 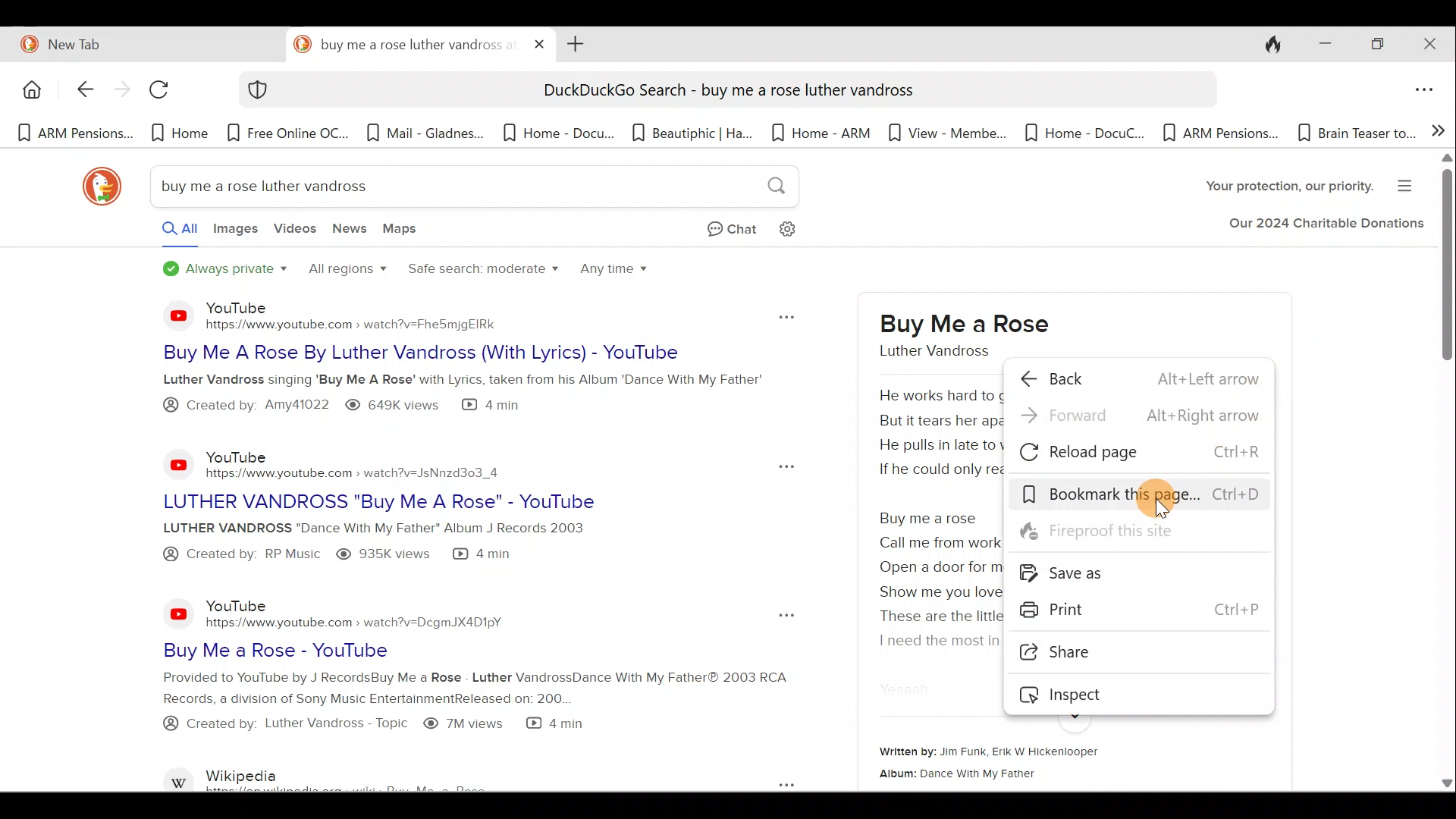 I want to click on YouTube logo, so click(x=168, y=315).